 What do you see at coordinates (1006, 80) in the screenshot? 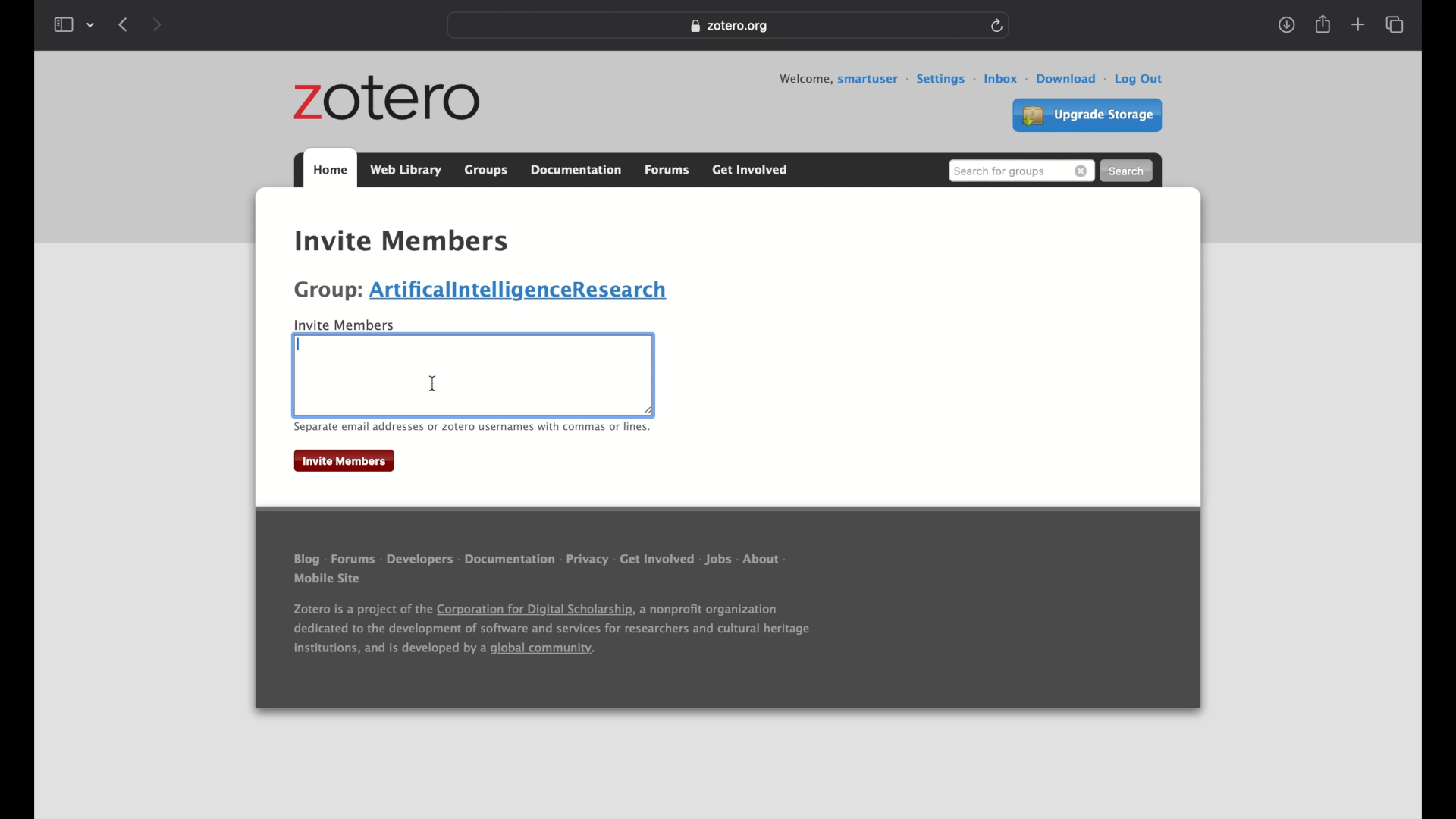
I see `inbox` at bounding box center [1006, 80].